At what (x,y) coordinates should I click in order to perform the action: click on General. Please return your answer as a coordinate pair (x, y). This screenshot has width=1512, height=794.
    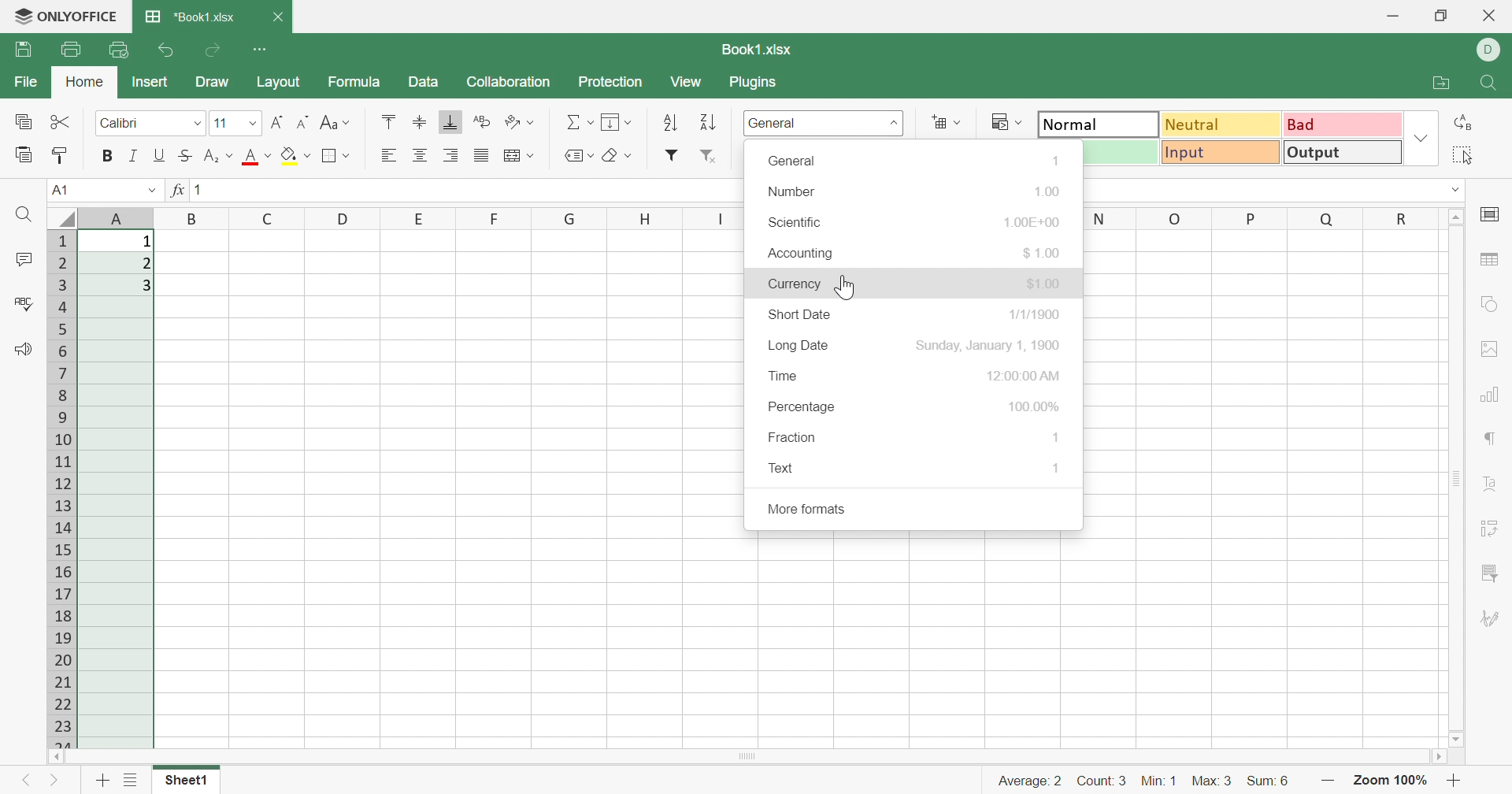
    Looking at the image, I should click on (792, 161).